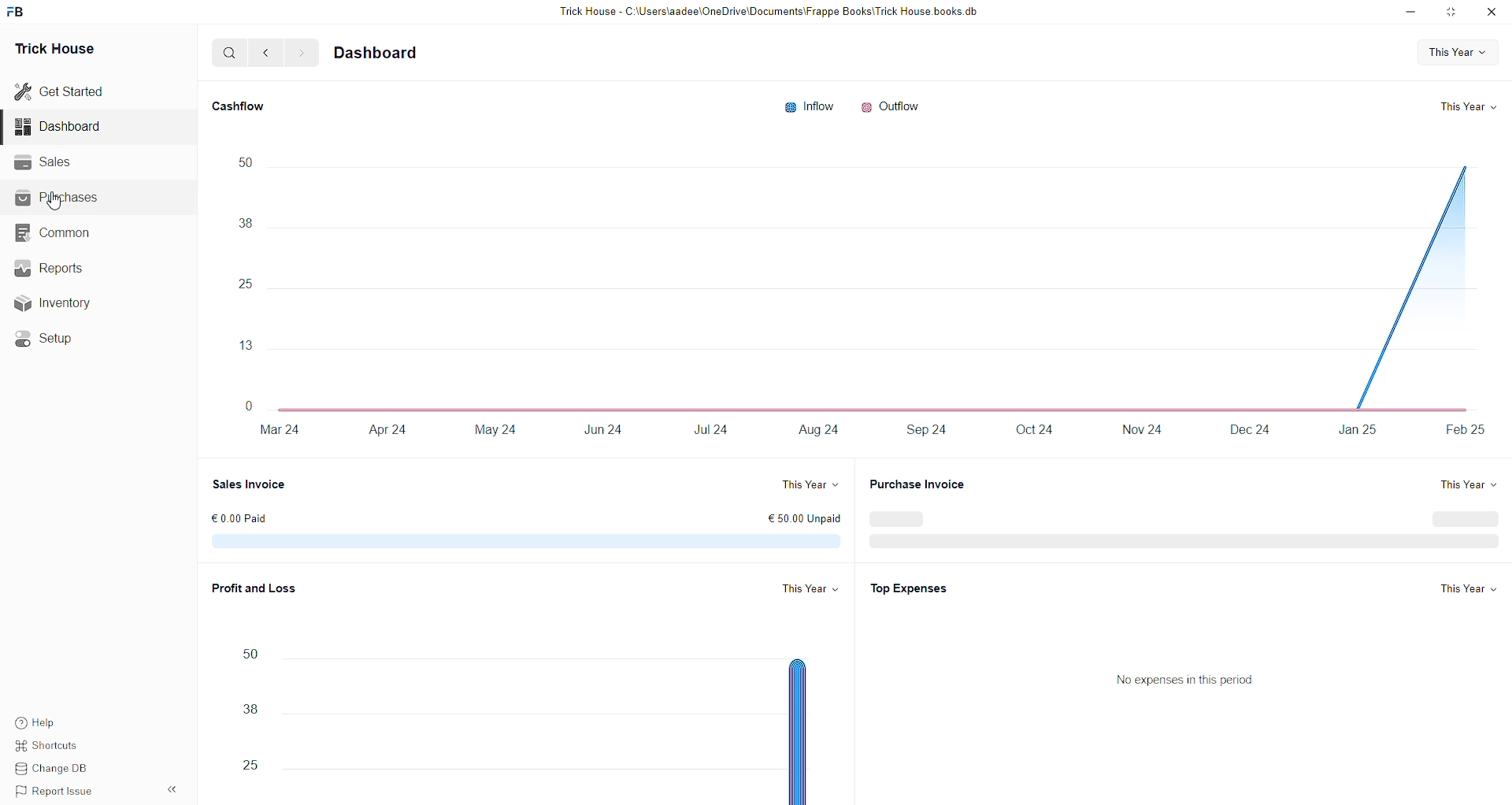 The width and height of the screenshot is (1512, 805). What do you see at coordinates (1464, 482) in the screenshot?
I see `This Year ` at bounding box center [1464, 482].